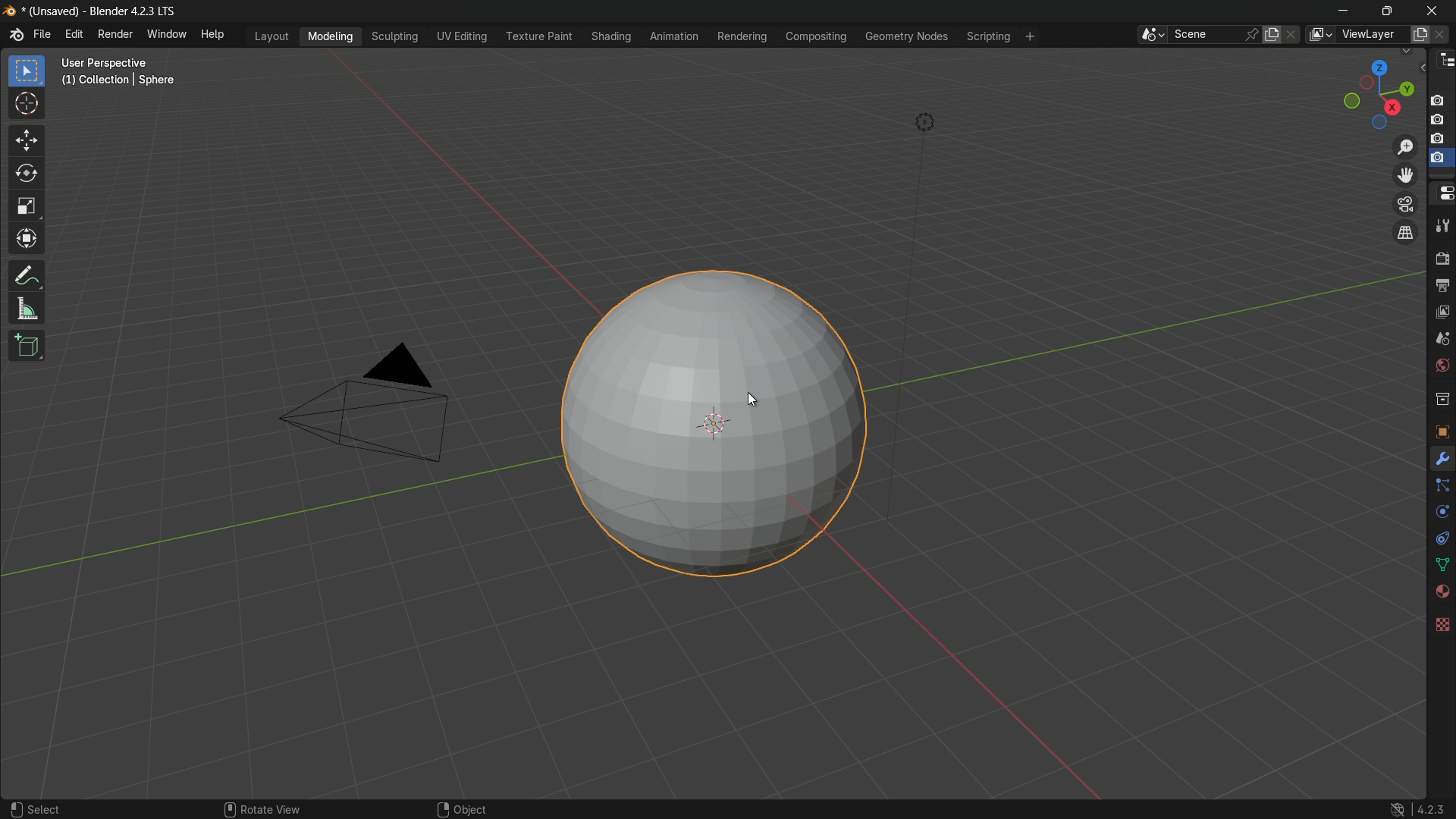  I want to click on object, so click(1441, 428).